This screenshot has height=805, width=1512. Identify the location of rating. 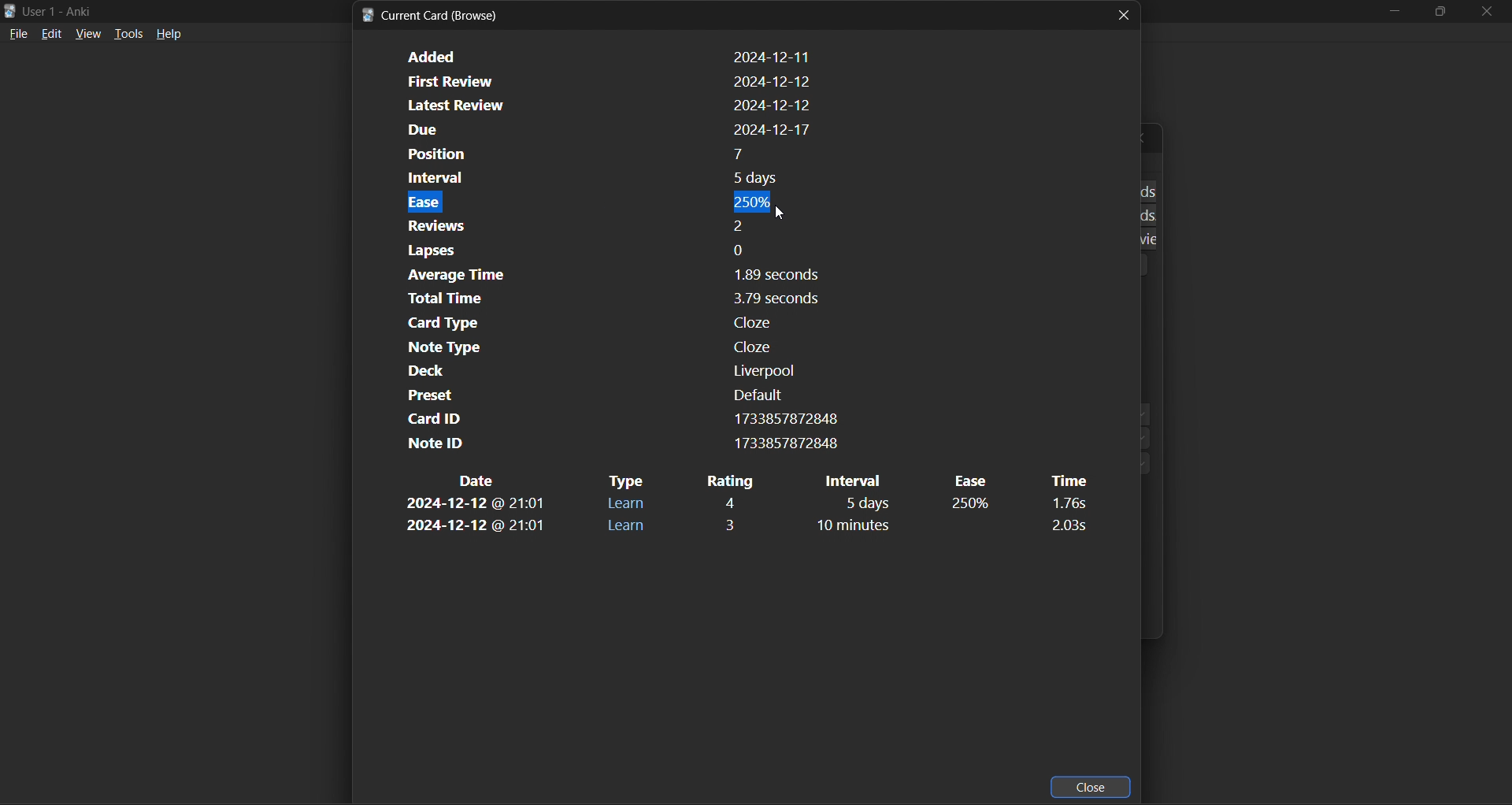
(729, 480).